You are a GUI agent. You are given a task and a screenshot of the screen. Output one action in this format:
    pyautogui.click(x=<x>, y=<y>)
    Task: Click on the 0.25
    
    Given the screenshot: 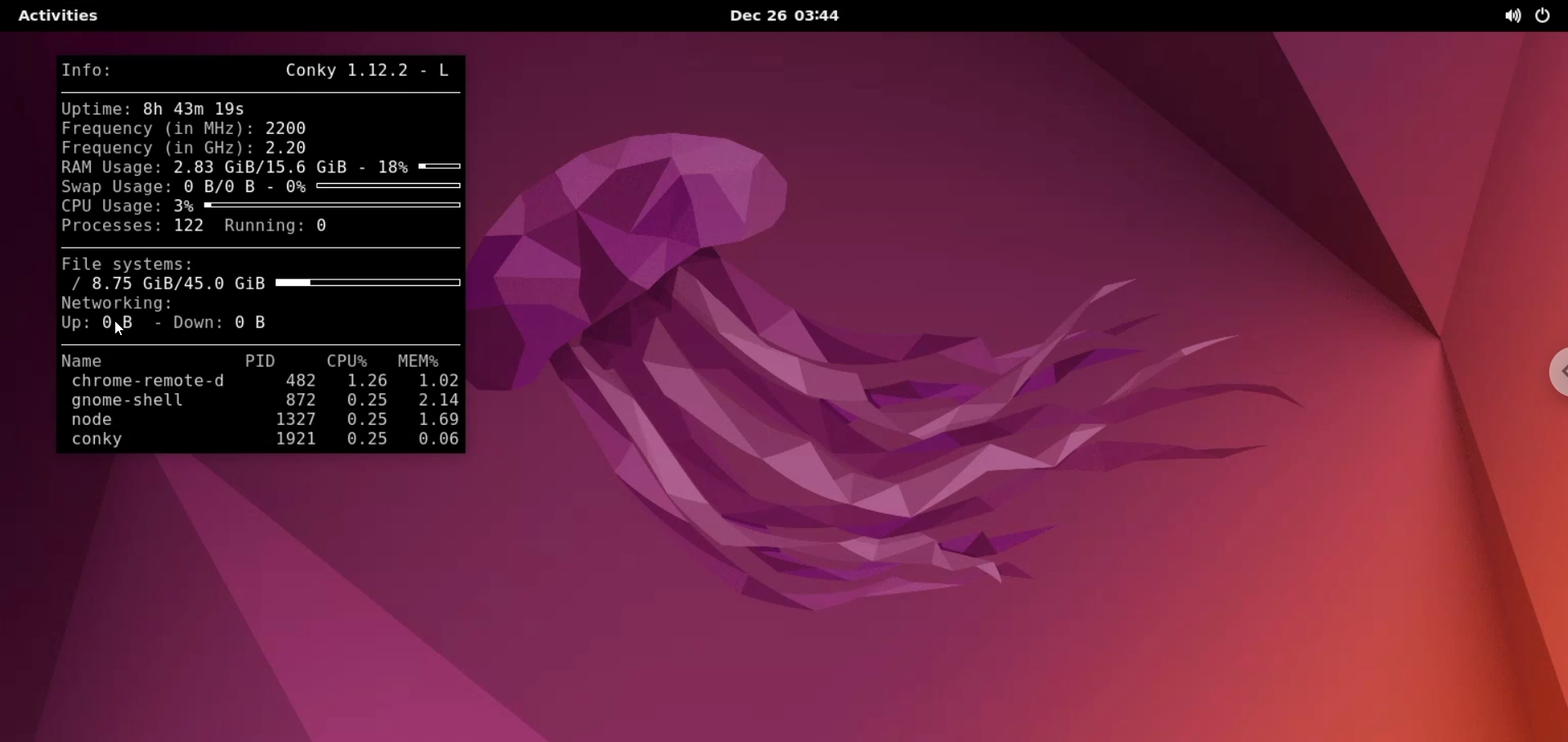 What is the action you would take?
    pyautogui.click(x=366, y=420)
    